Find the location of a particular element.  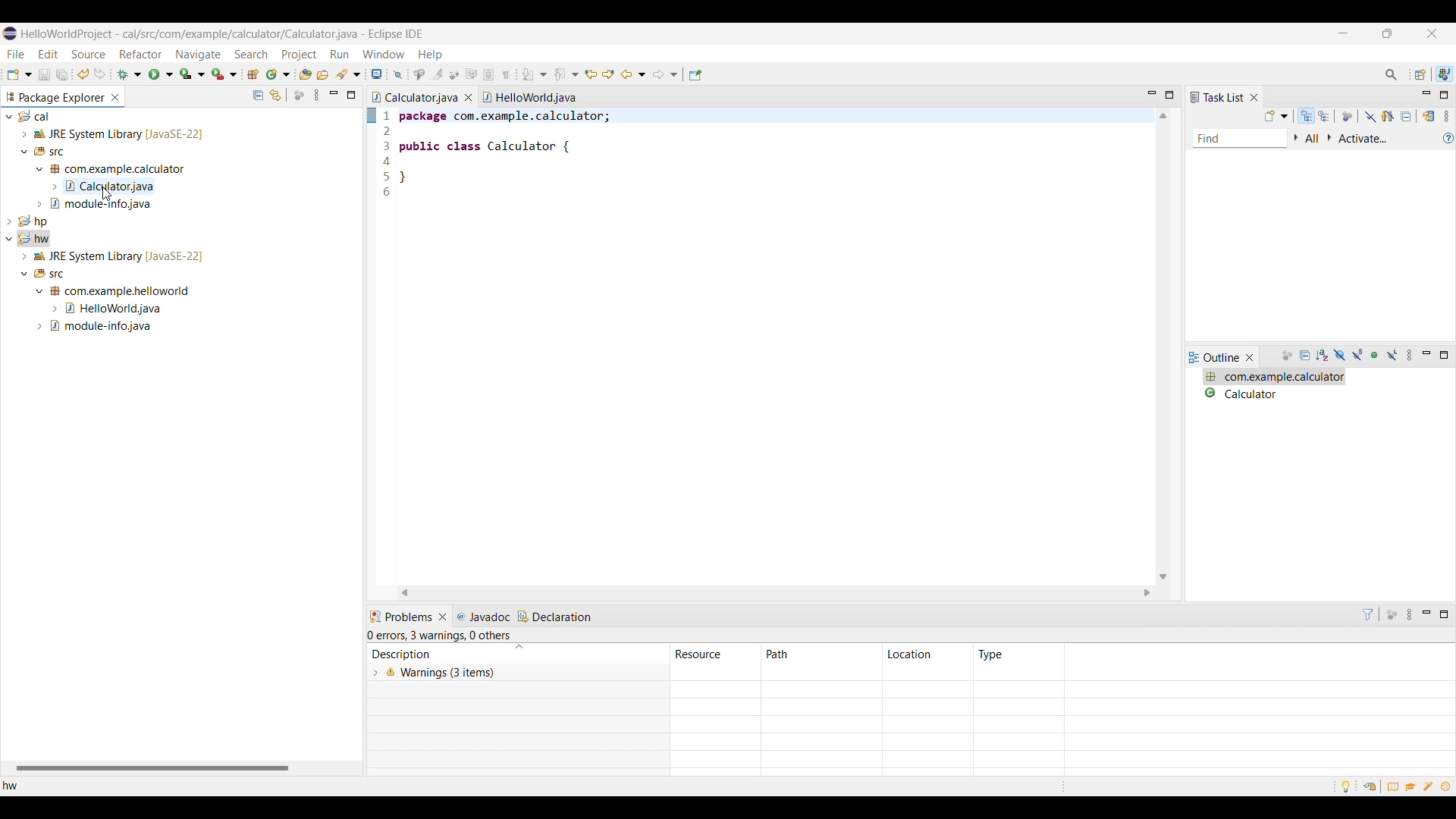

What's new is located at coordinates (1448, 788).